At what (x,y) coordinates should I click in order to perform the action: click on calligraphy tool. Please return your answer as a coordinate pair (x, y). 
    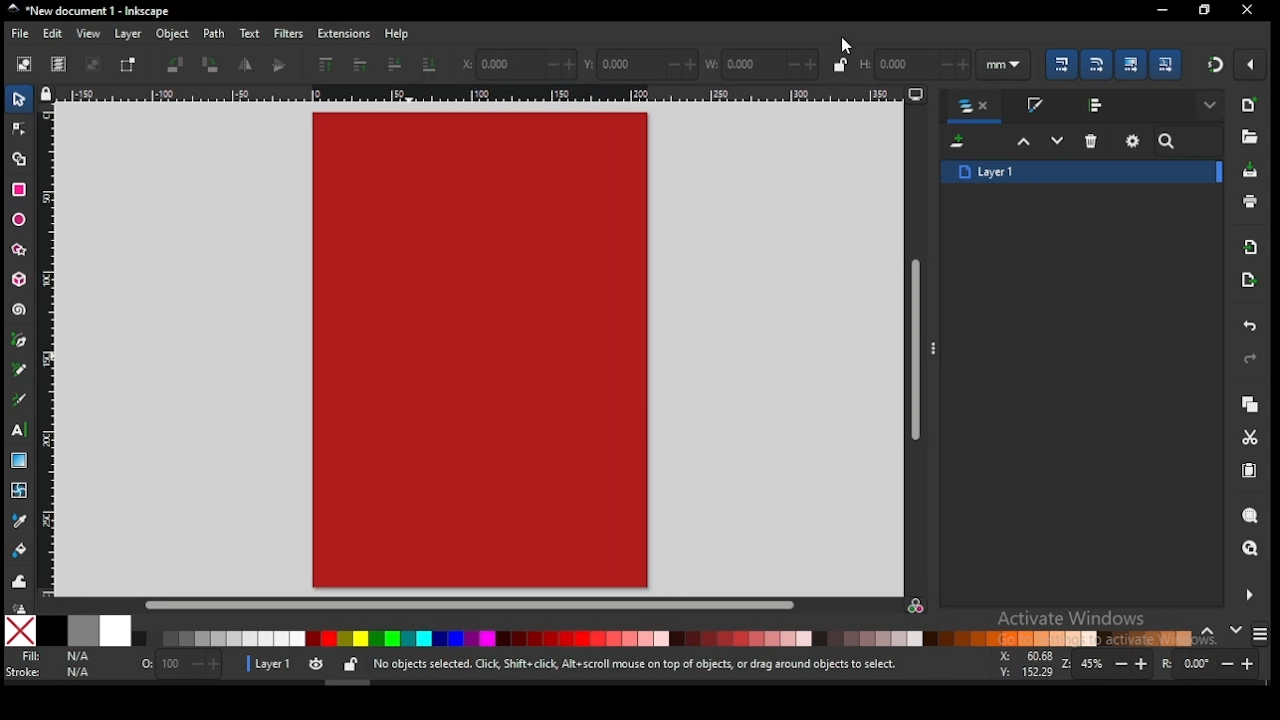
    Looking at the image, I should click on (23, 399).